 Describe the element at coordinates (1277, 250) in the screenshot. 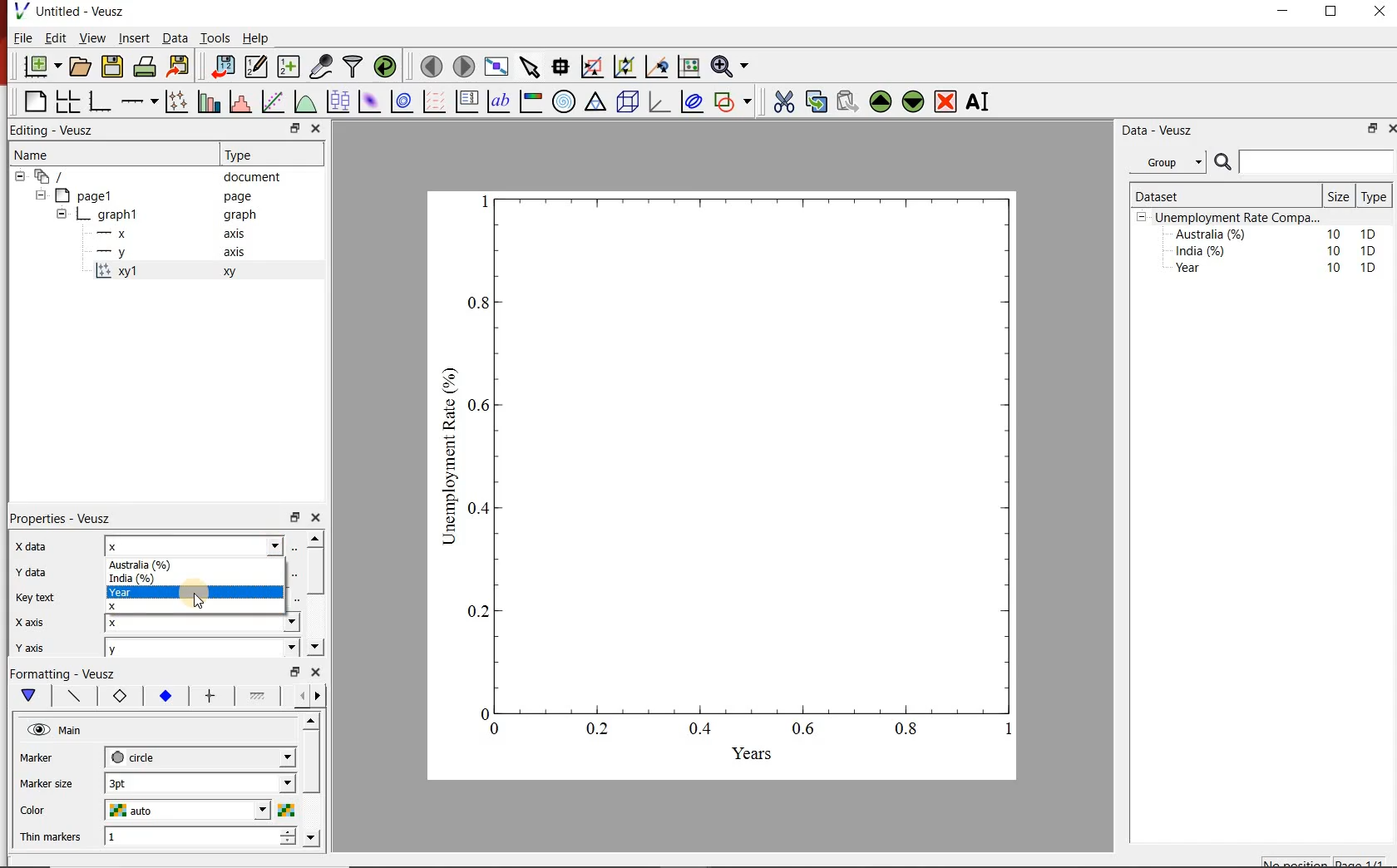

I see `India (%) 10 1D` at that location.